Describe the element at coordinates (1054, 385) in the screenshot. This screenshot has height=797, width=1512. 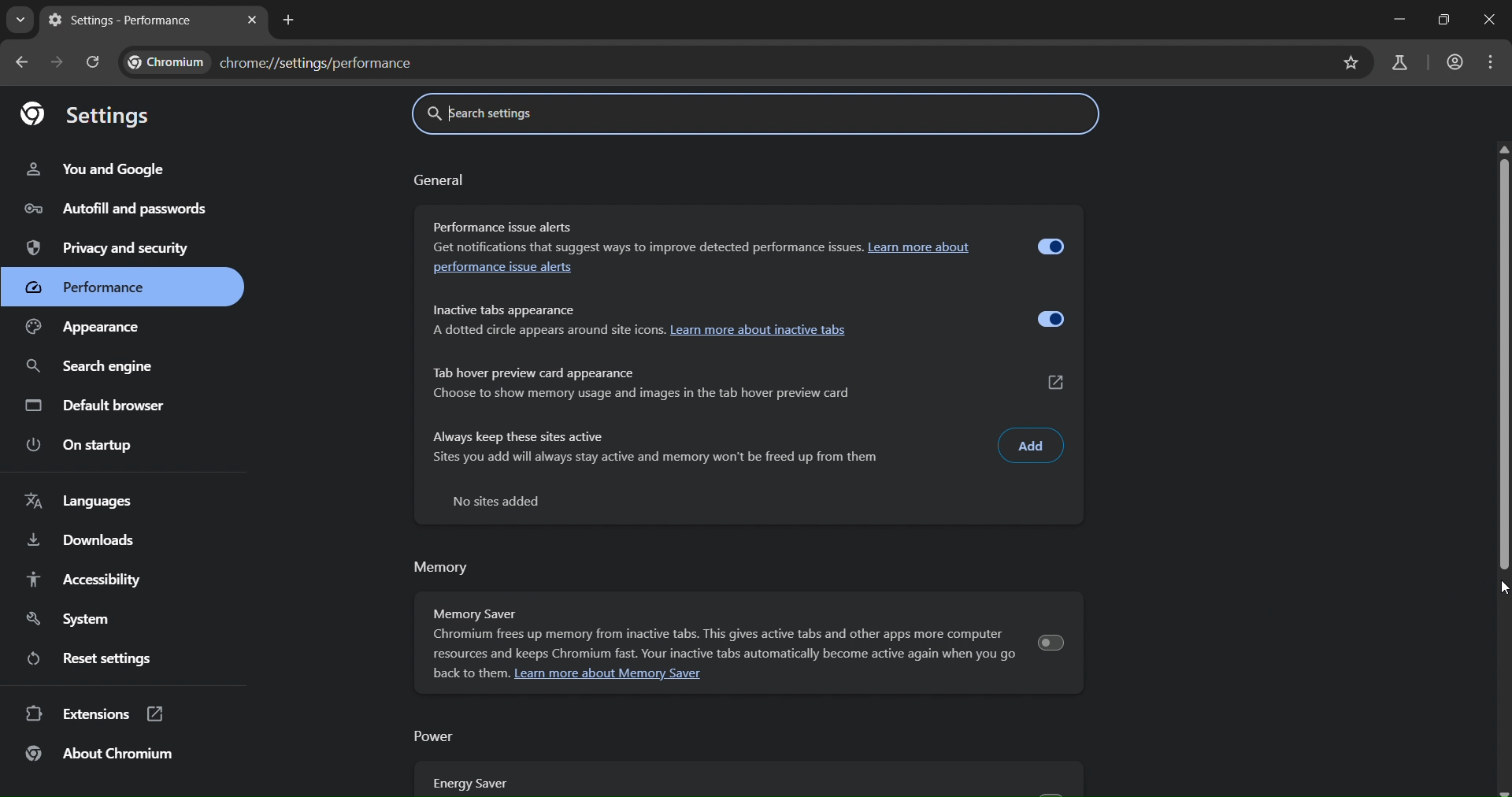
I see `external link` at that location.